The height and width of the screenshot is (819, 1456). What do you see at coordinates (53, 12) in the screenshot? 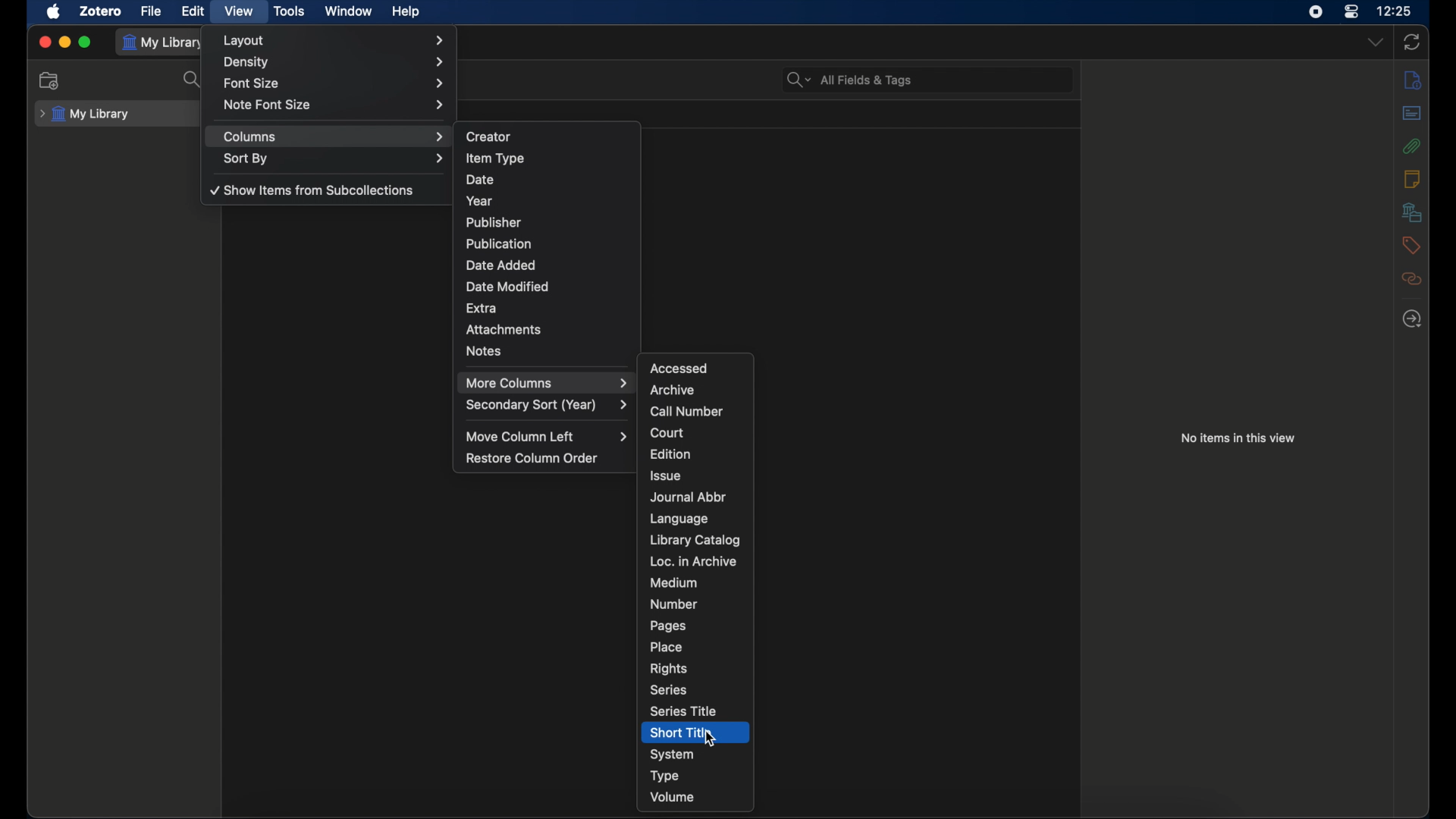
I see `apple` at bounding box center [53, 12].